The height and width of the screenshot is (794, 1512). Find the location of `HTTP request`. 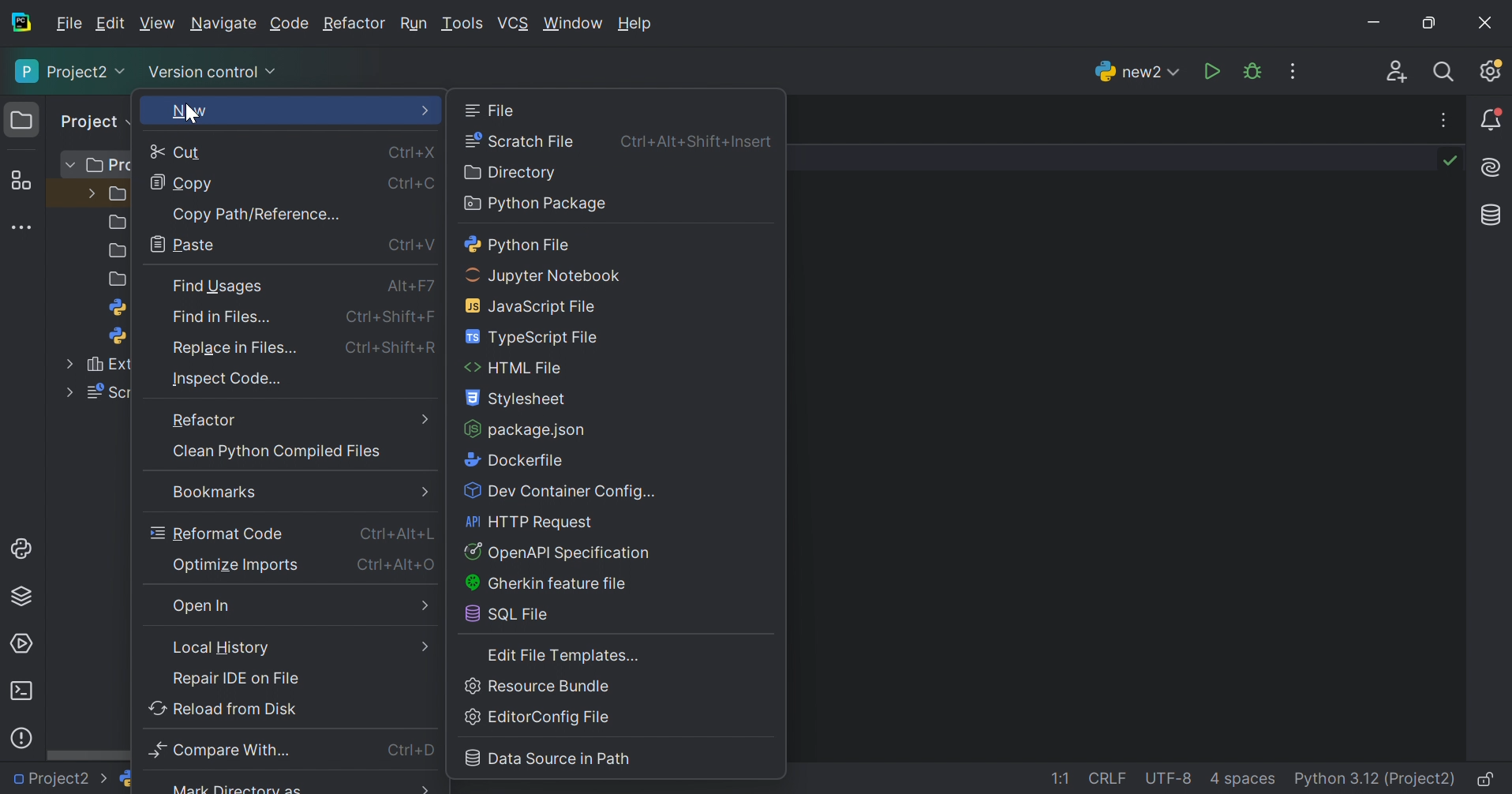

HTTP request is located at coordinates (532, 522).